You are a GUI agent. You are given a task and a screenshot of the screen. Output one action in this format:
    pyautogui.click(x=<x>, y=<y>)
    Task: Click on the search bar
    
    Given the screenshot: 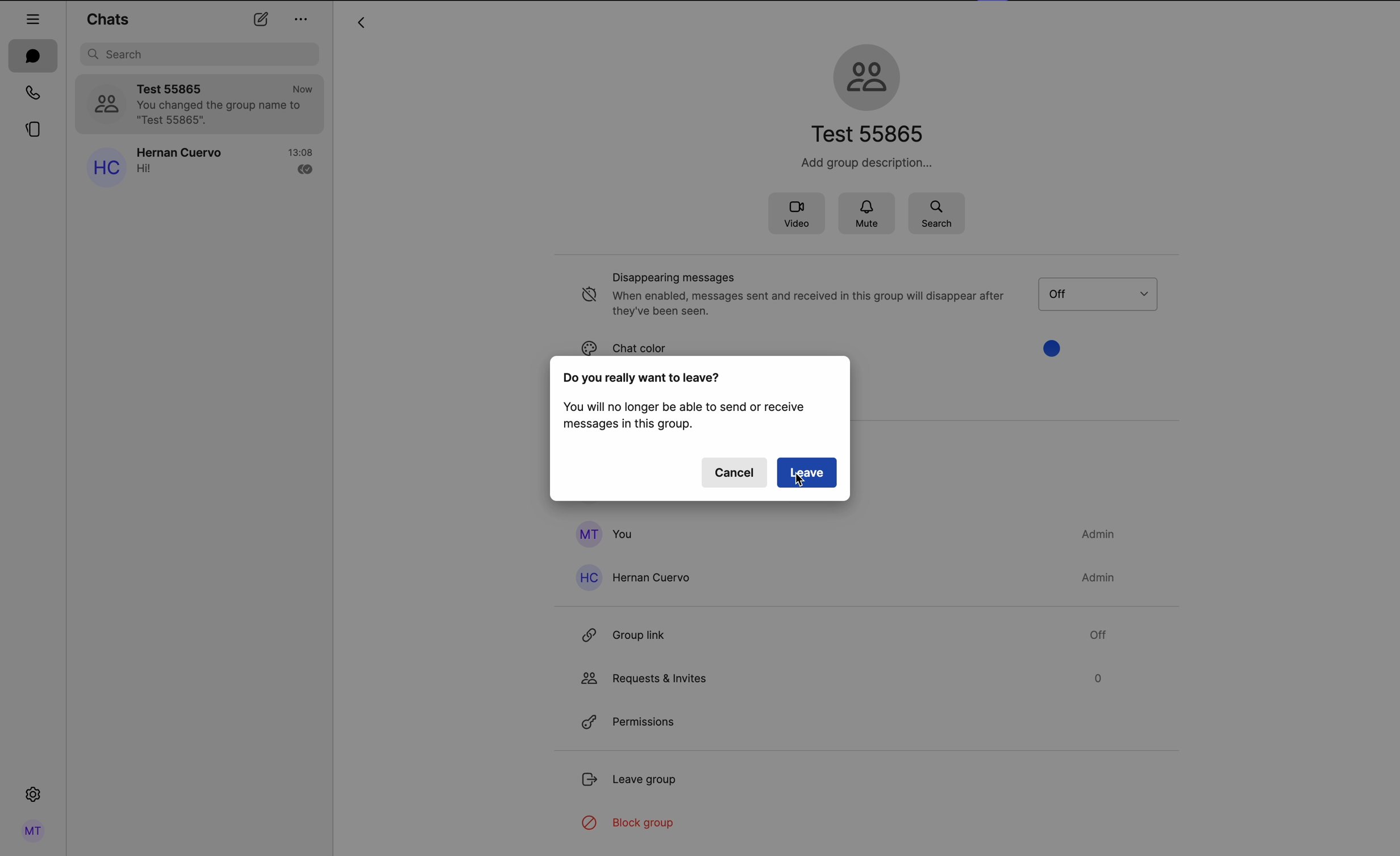 What is the action you would take?
    pyautogui.click(x=201, y=54)
    